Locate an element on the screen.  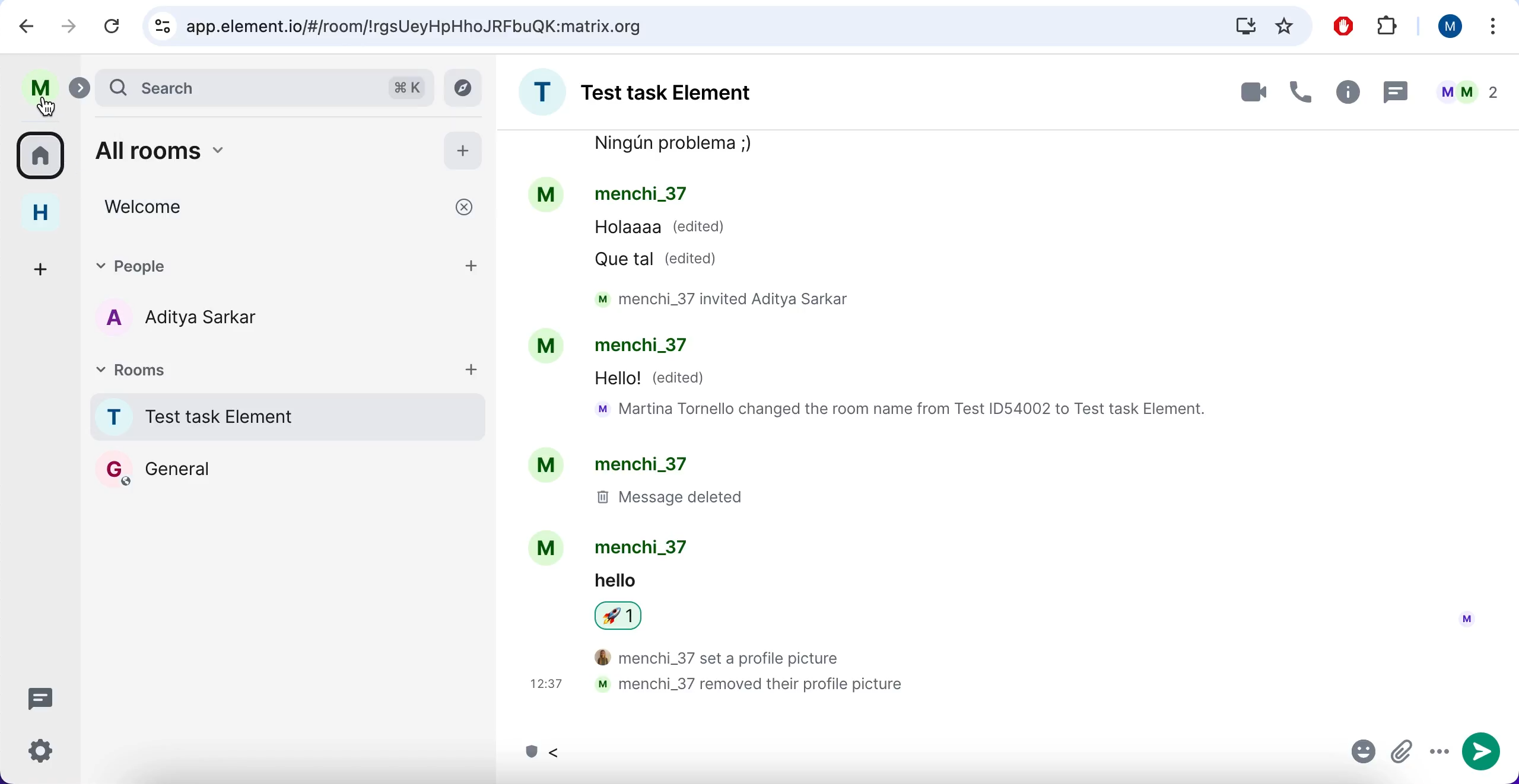
add is located at coordinates (478, 374).